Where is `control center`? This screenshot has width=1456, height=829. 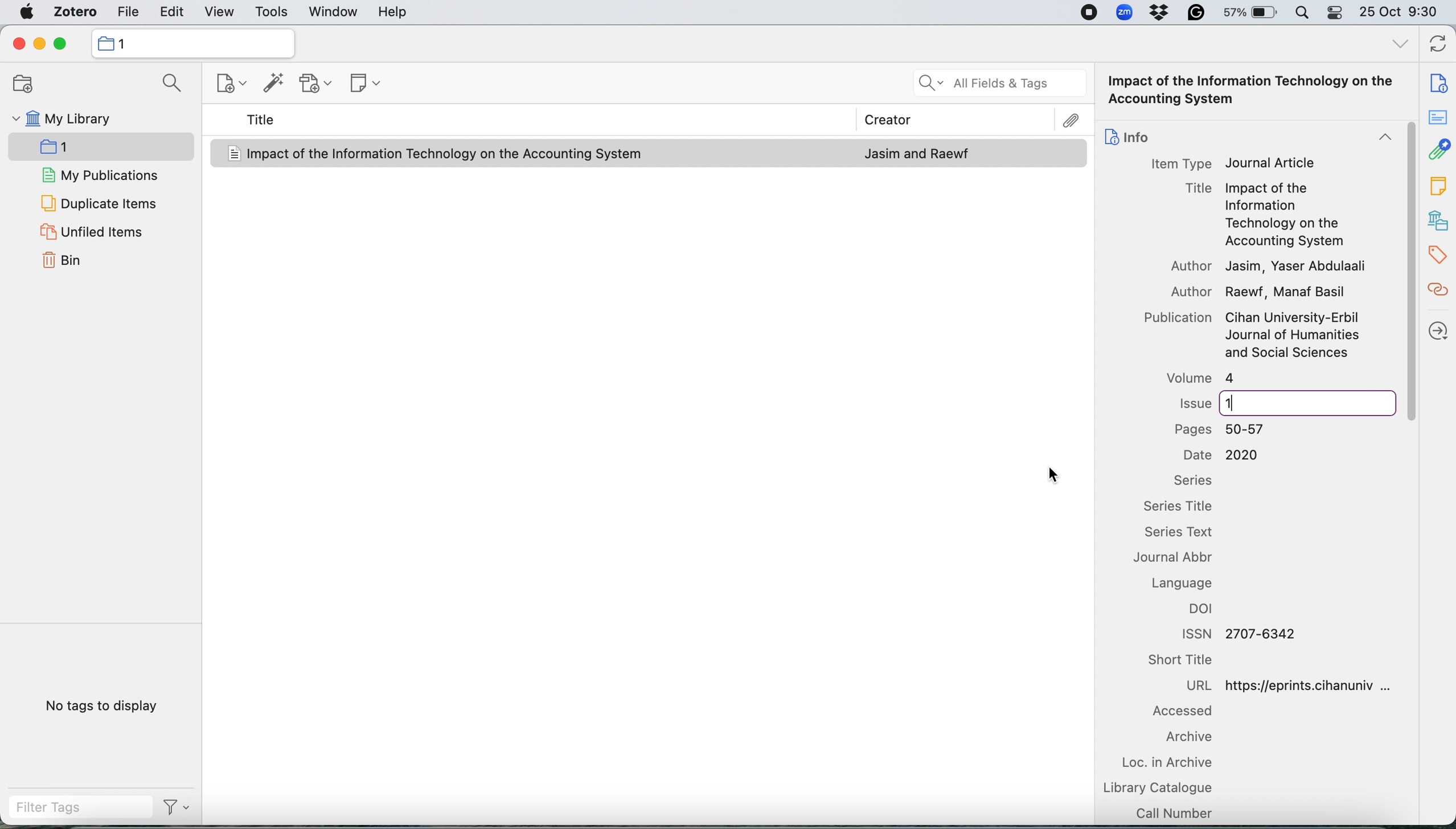
control center is located at coordinates (1334, 13).